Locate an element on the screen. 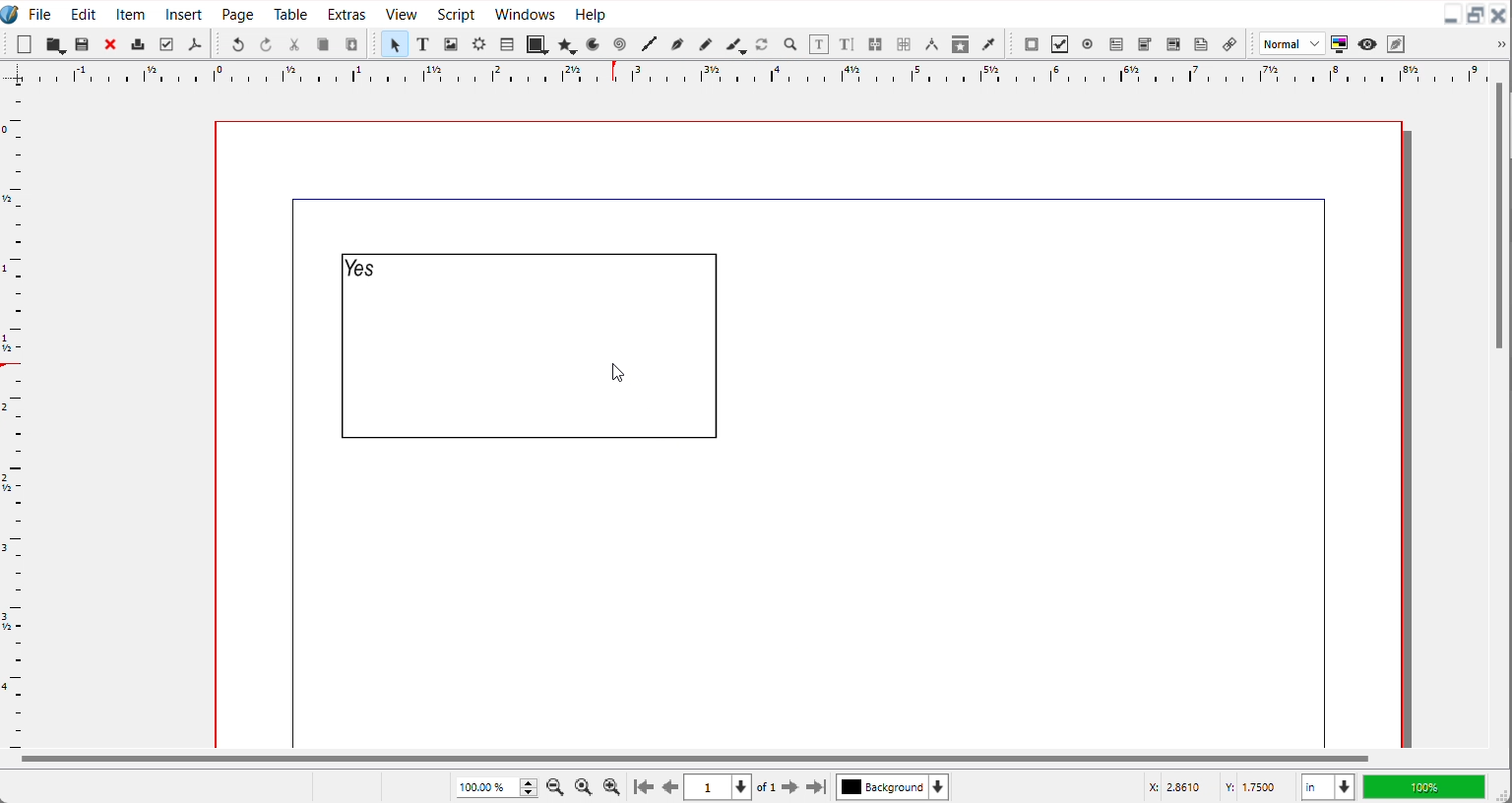 The image size is (1512, 803). Windows is located at coordinates (525, 12).